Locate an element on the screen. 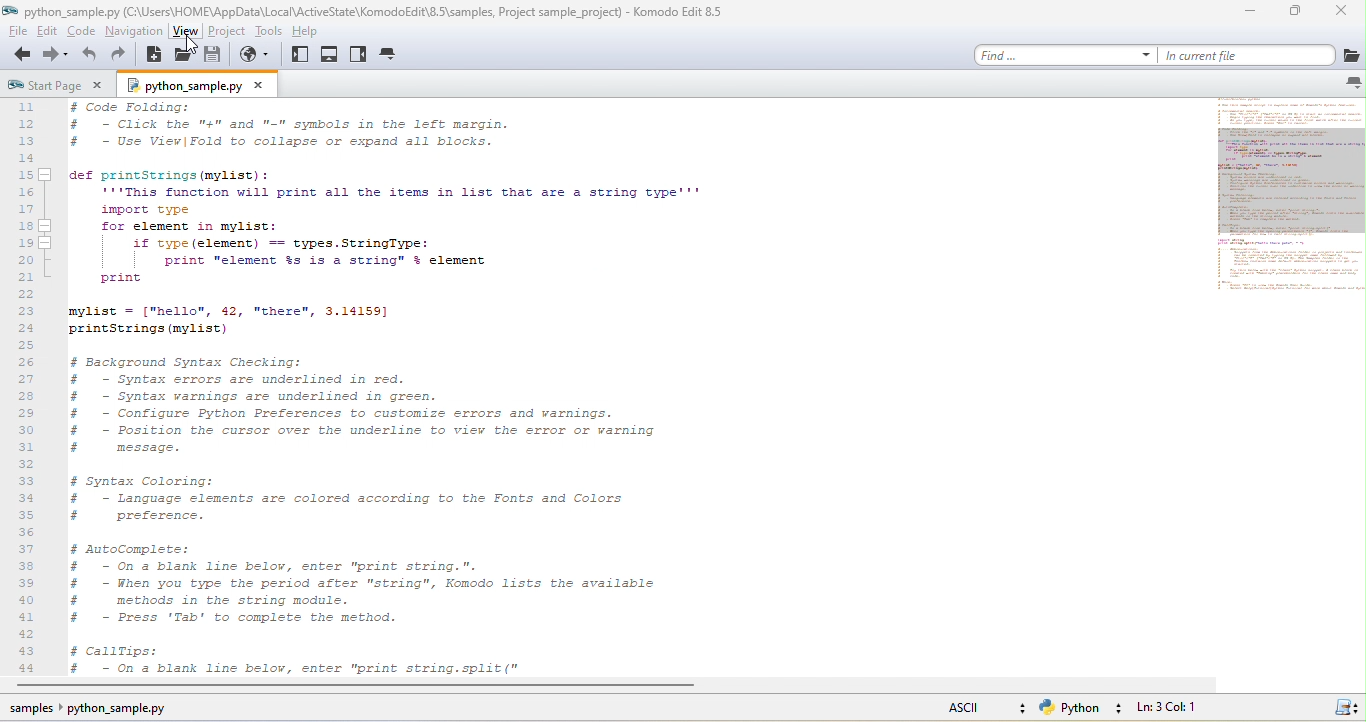 This screenshot has width=1366, height=722. komodo text is located at coordinates (361, 389).